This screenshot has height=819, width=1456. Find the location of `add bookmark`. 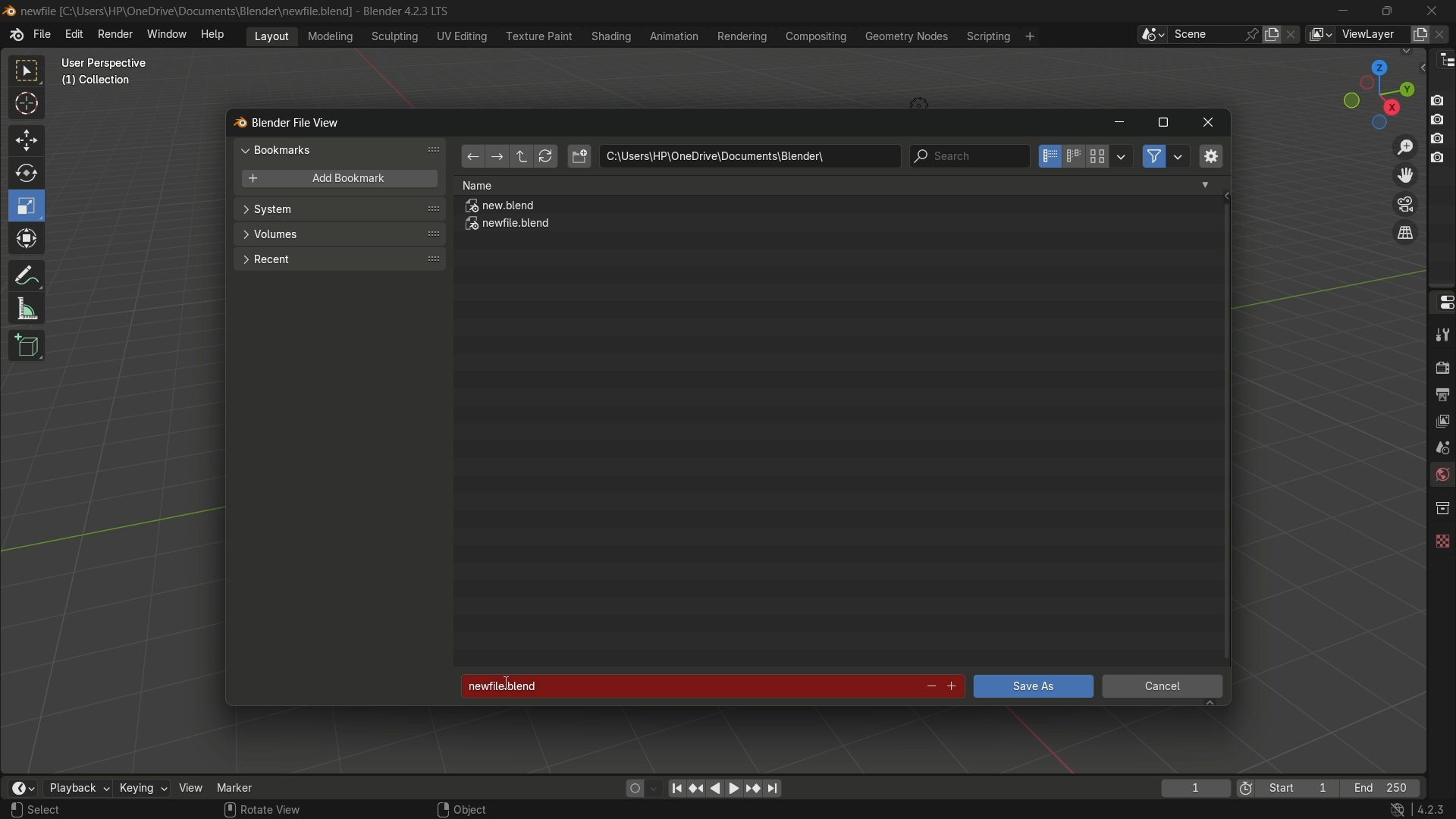

add bookmark is located at coordinates (335, 180).